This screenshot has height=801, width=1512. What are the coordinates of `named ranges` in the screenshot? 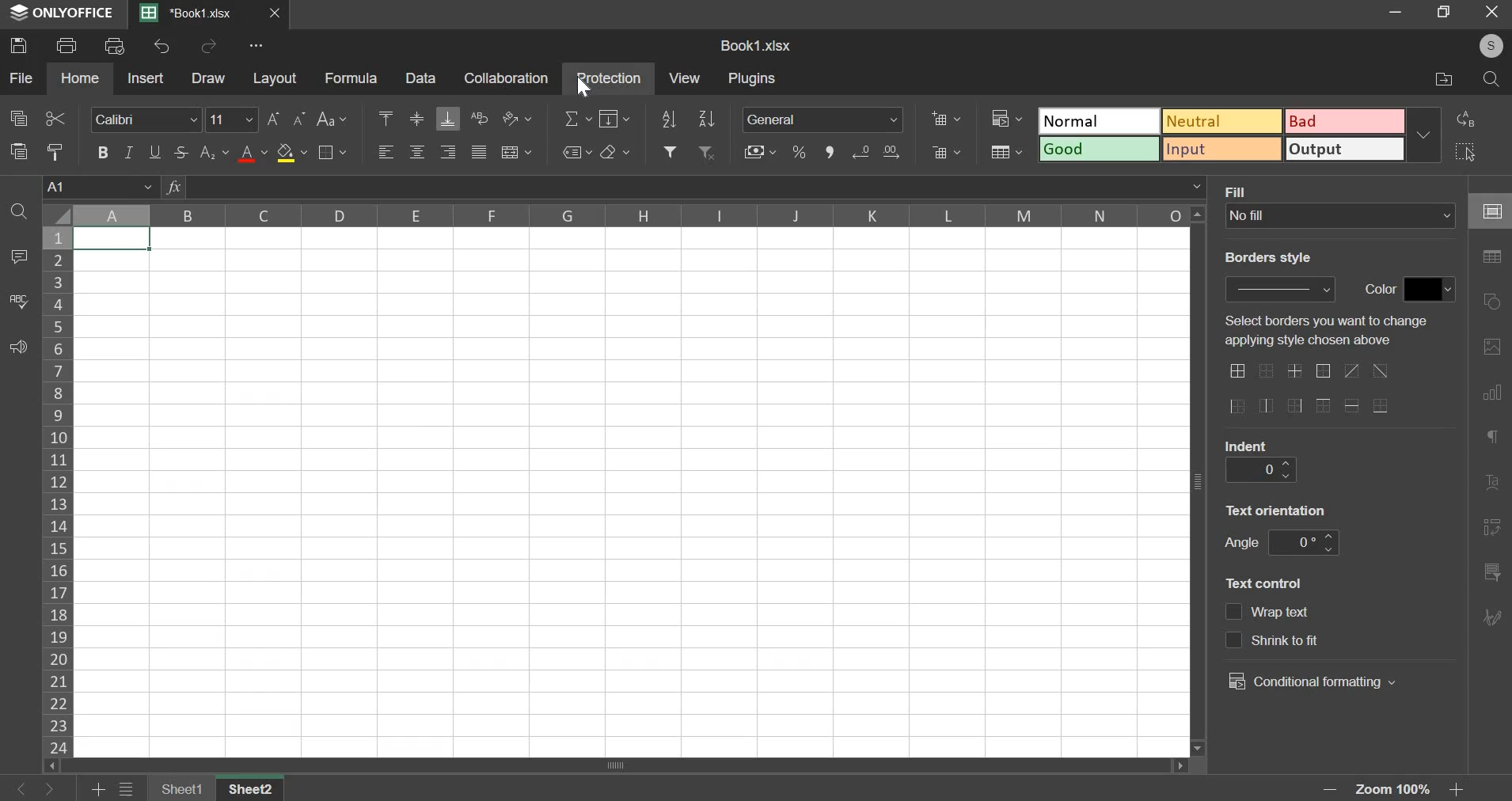 It's located at (574, 152).